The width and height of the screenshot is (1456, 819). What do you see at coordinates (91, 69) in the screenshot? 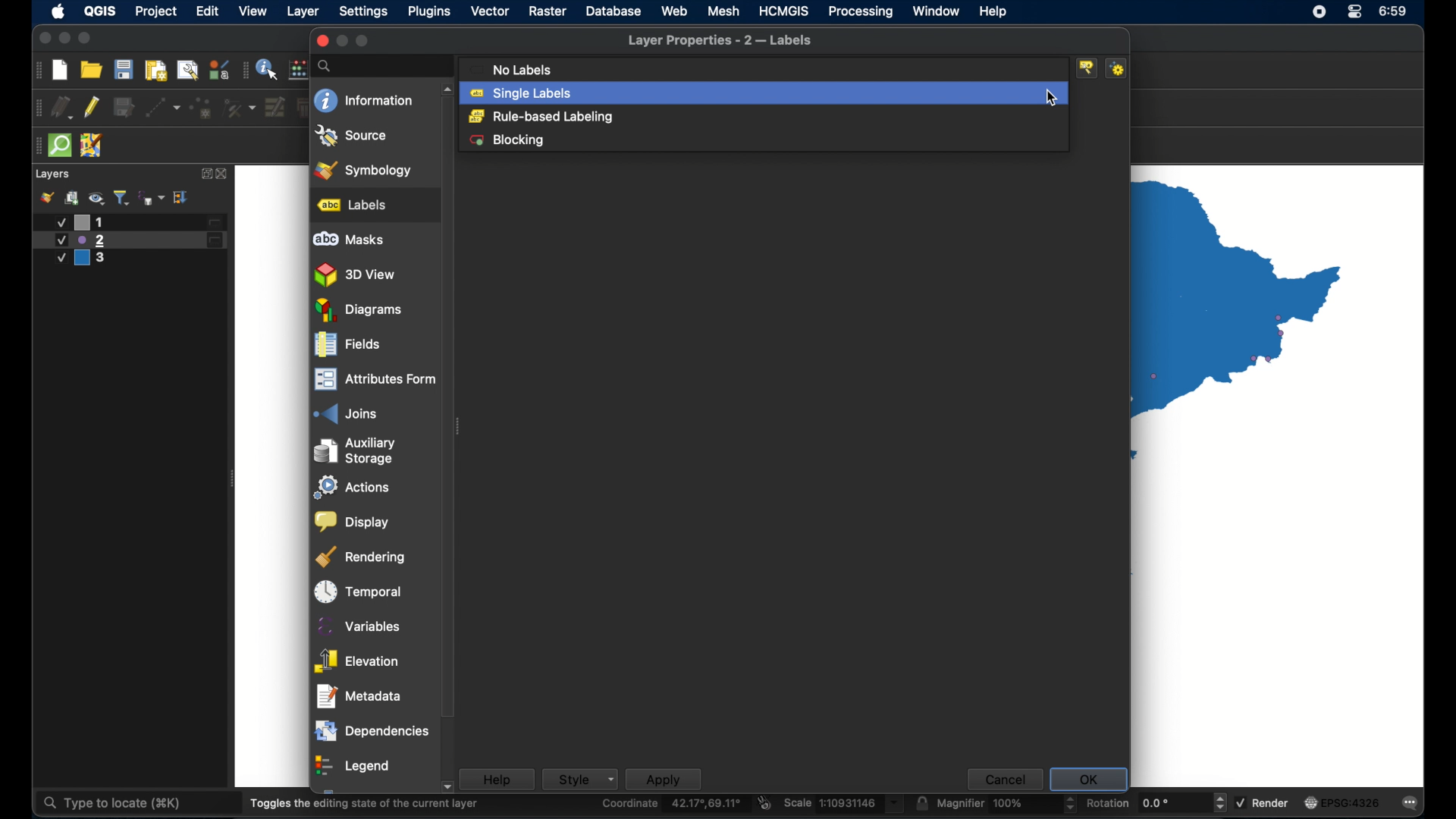
I see `open` at bounding box center [91, 69].